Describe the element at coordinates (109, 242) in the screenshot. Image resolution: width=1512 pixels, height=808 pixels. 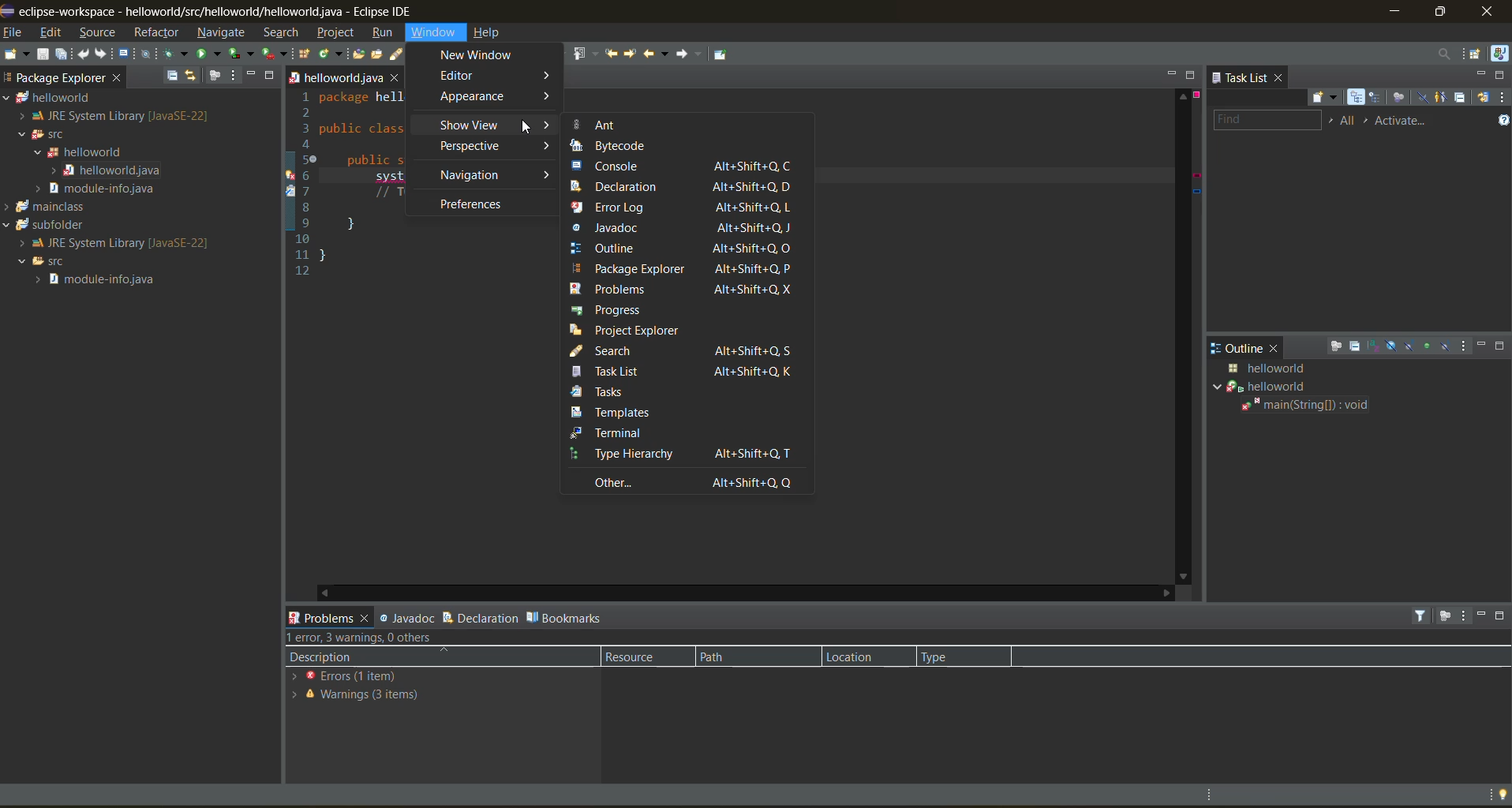
I see `JRE System Library[Java SE-22]` at that location.